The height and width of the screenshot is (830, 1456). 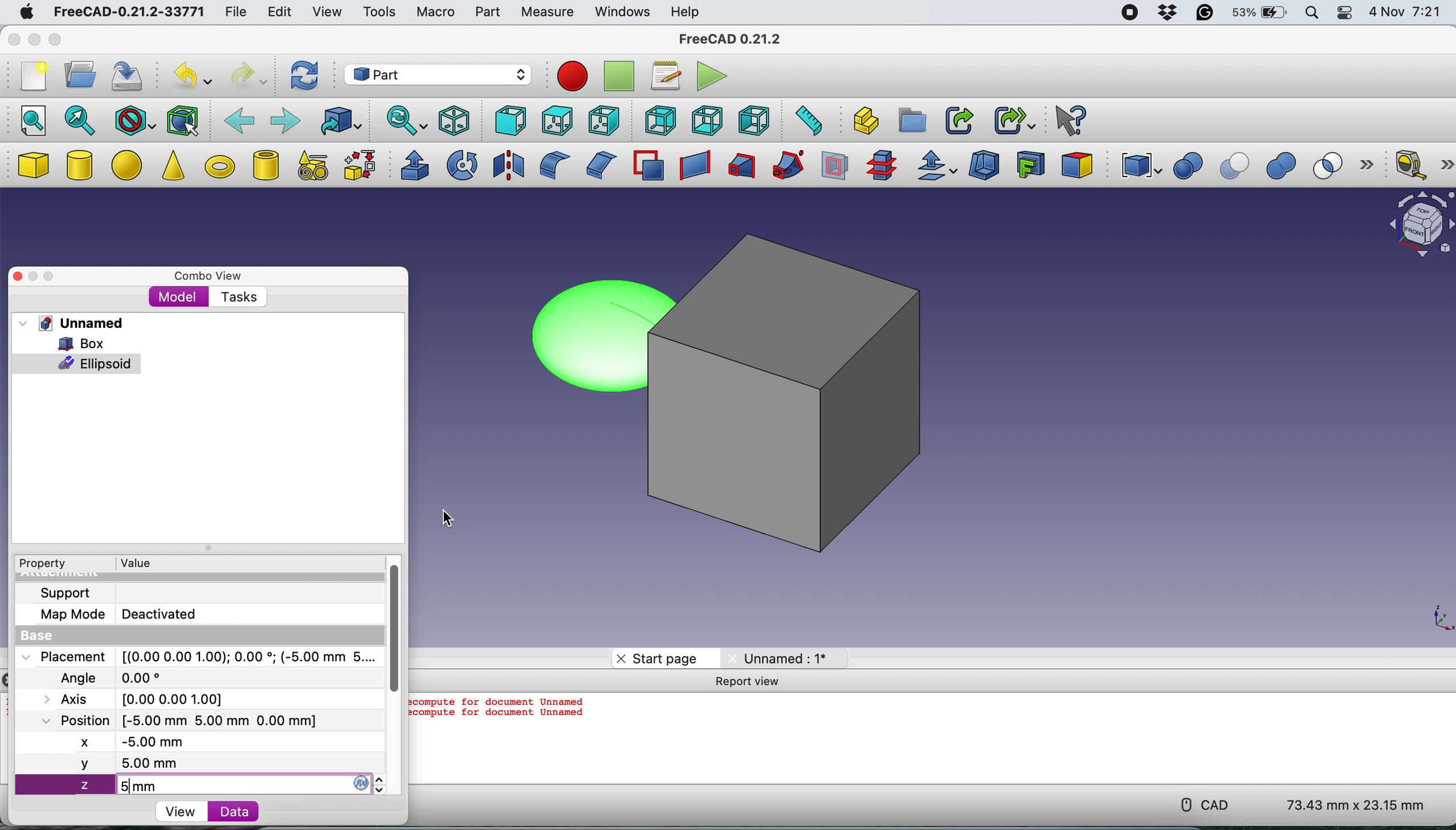 What do you see at coordinates (463, 164) in the screenshot?
I see `revolve` at bounding box center [463, 164].